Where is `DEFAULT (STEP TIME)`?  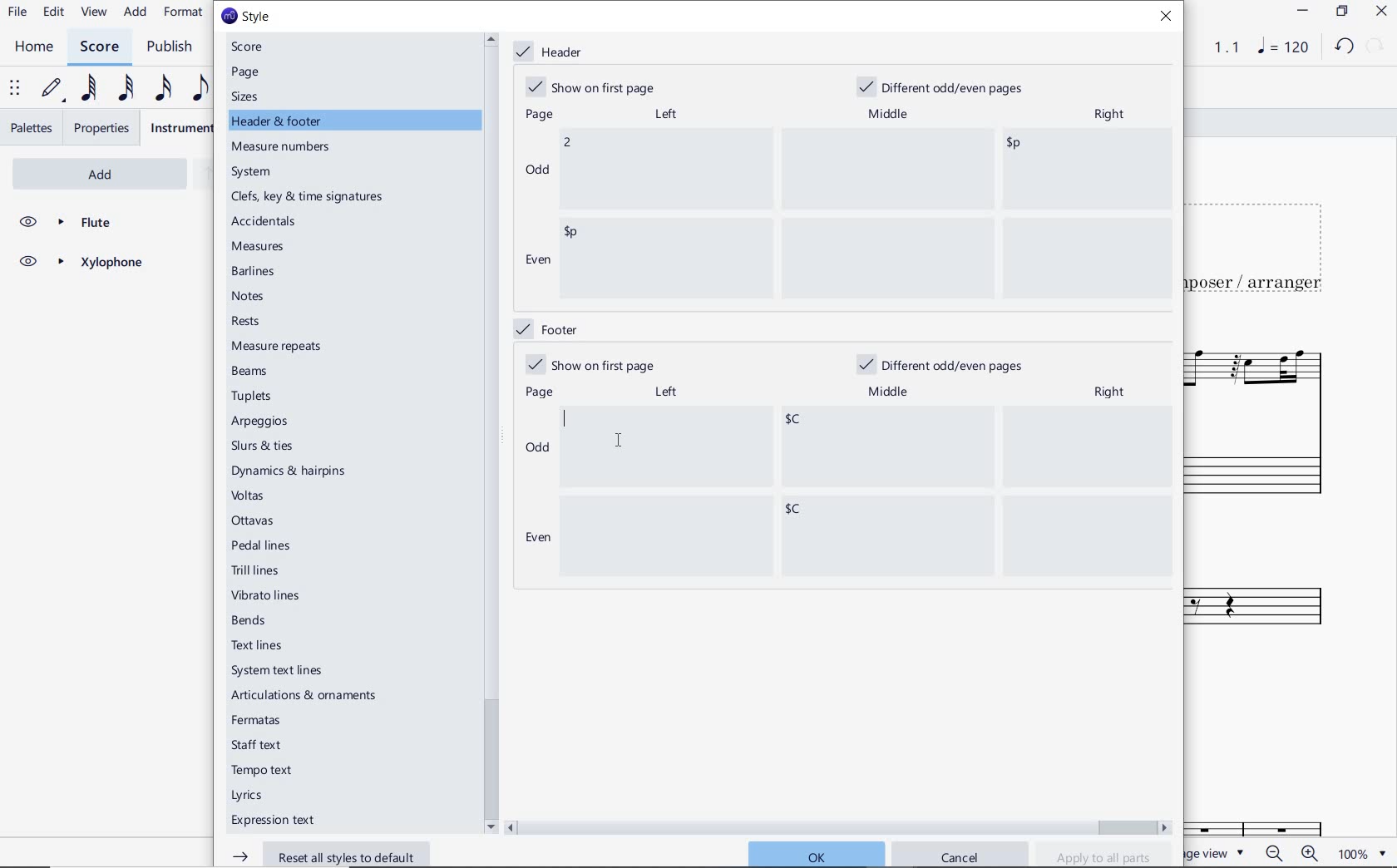
DEFAULT (STEP TIME) is located at coordinates (52, 91).